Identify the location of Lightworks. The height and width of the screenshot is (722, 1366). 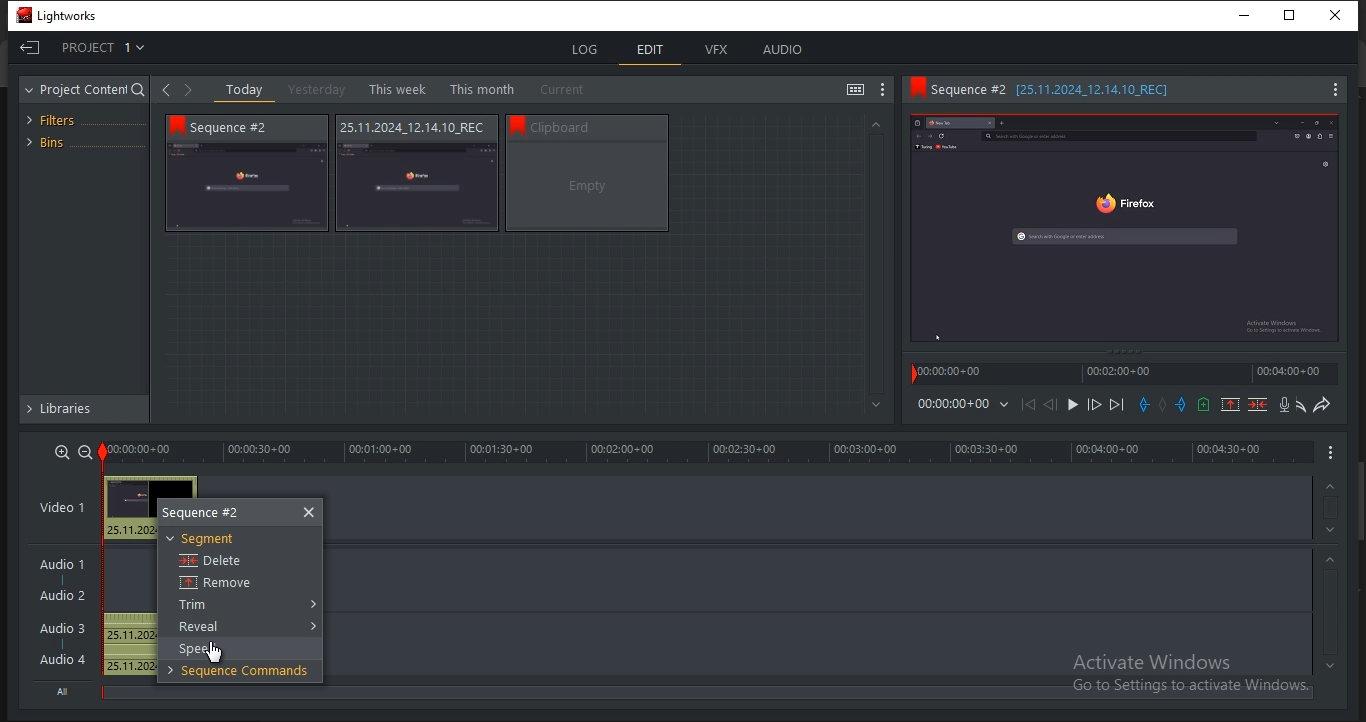
(62, 15).